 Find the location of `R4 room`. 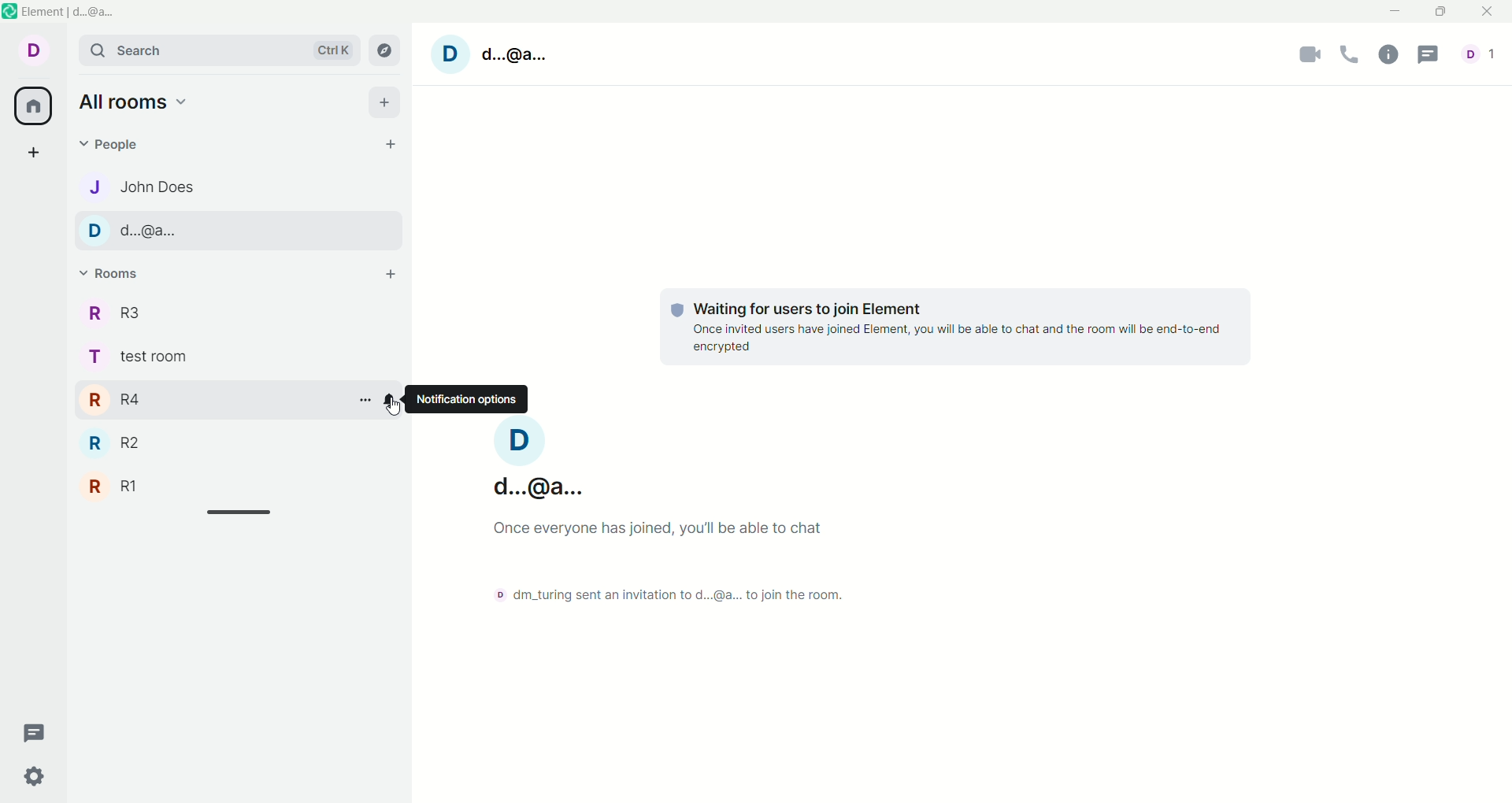

R4 room is located at coordinates (214, 400).